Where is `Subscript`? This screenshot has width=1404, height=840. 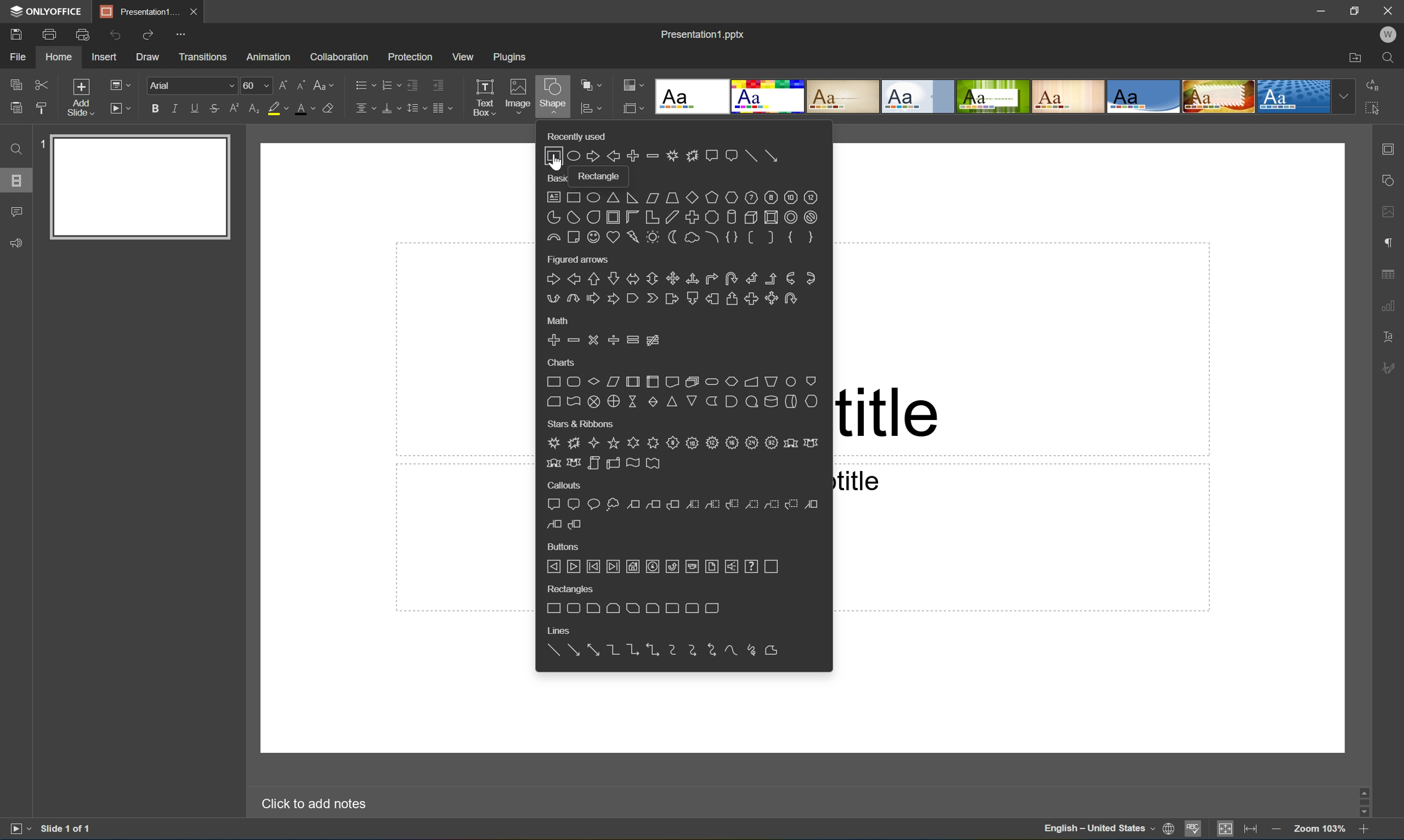
Subscript is located at coordinates (250, 109).